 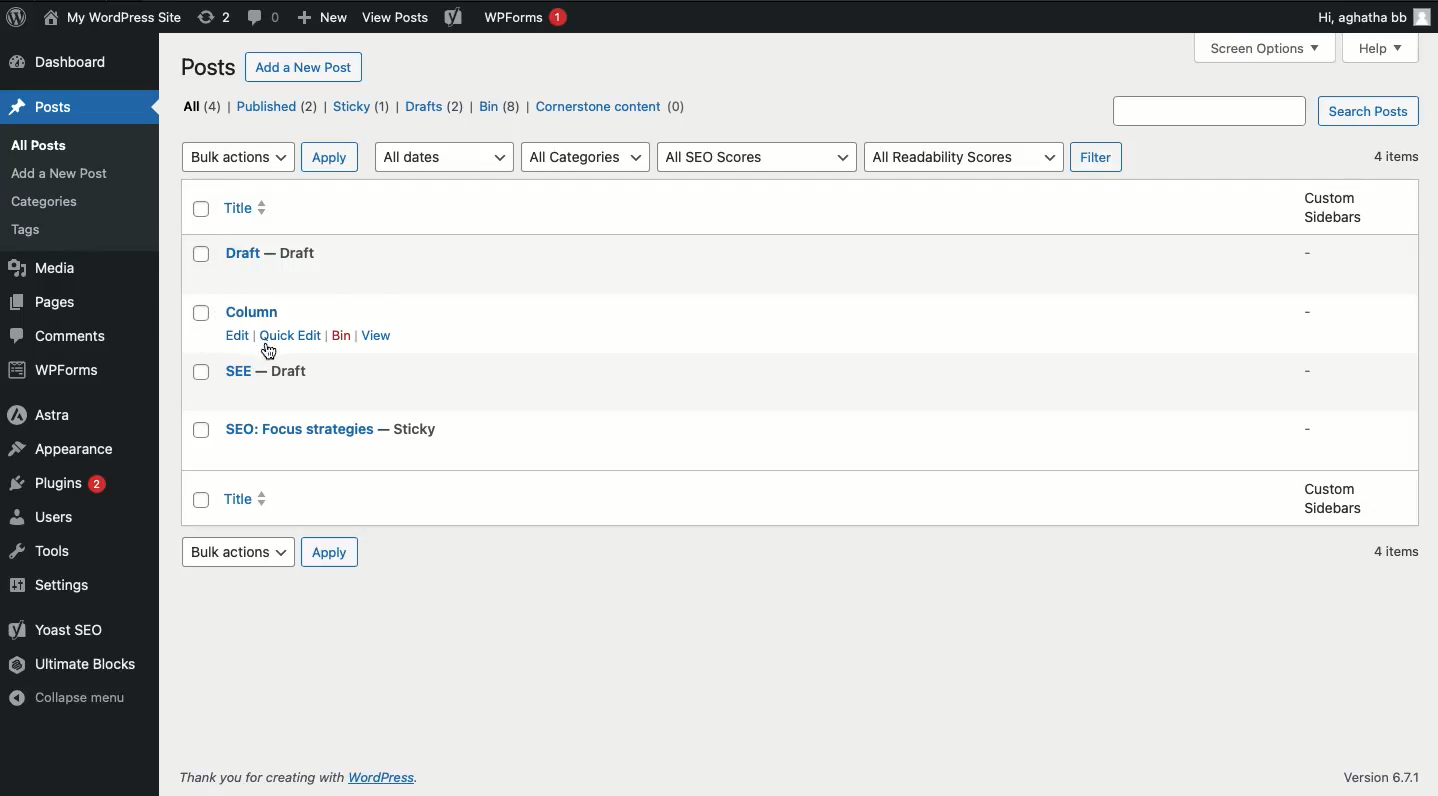 I want to click on Custom sidebars, so click(x=1331, y=210).